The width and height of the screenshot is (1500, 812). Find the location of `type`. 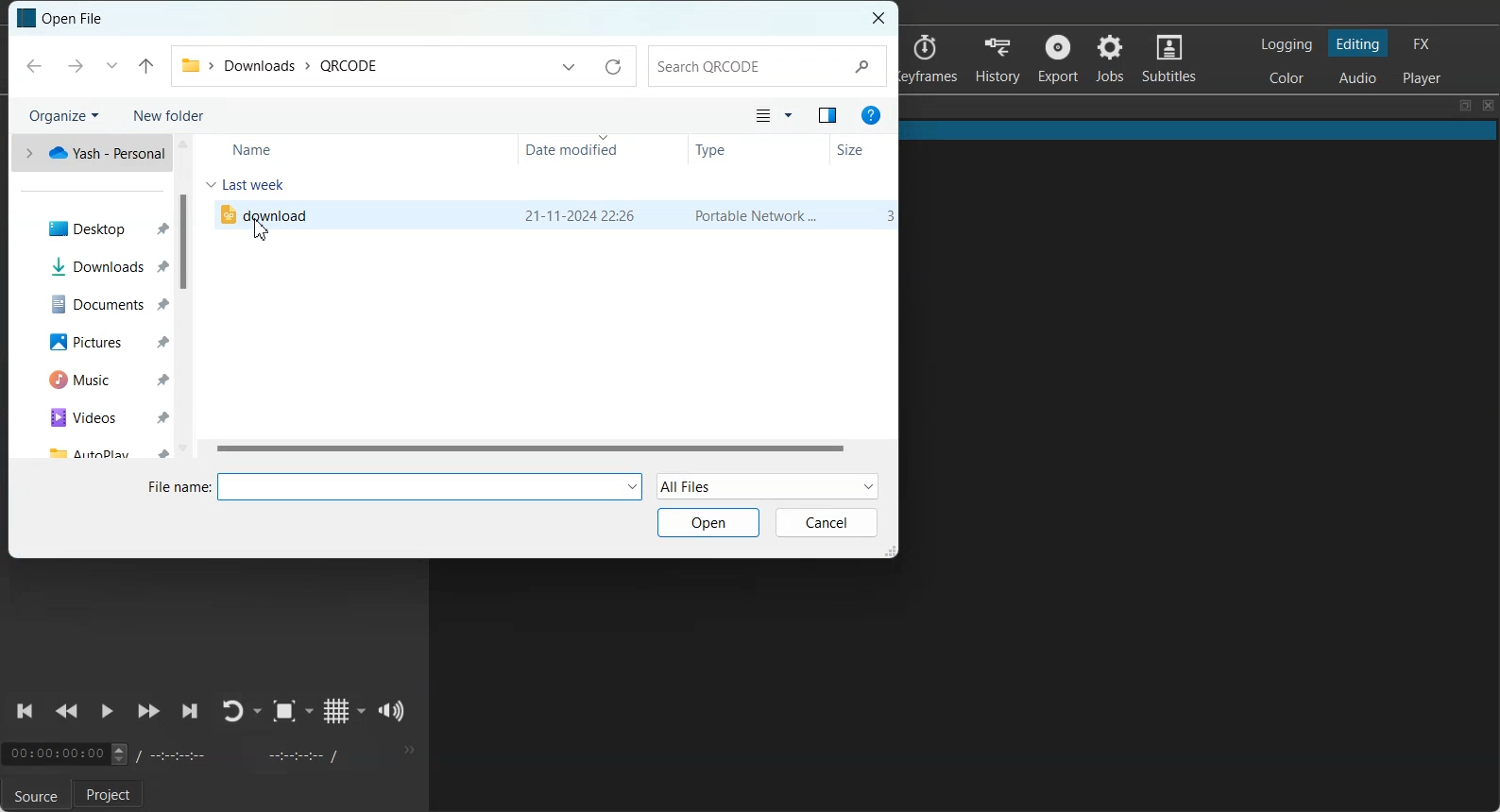

type is located at coordinates (758, 216).